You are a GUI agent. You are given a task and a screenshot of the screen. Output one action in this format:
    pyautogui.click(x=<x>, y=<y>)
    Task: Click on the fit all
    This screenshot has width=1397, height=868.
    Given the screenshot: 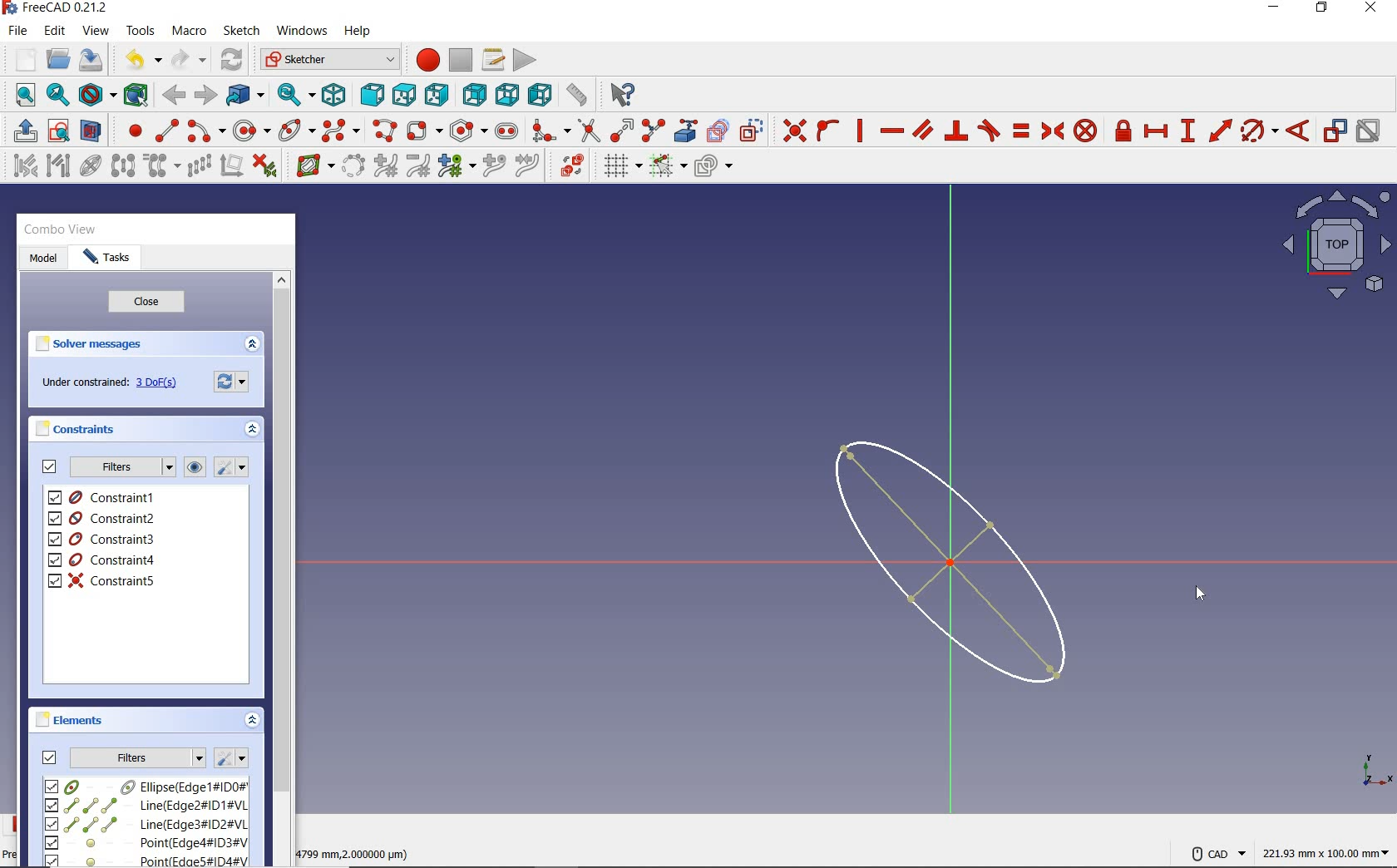 What is the action you would take?
    pyautogui.click(x=21, y=96)
    